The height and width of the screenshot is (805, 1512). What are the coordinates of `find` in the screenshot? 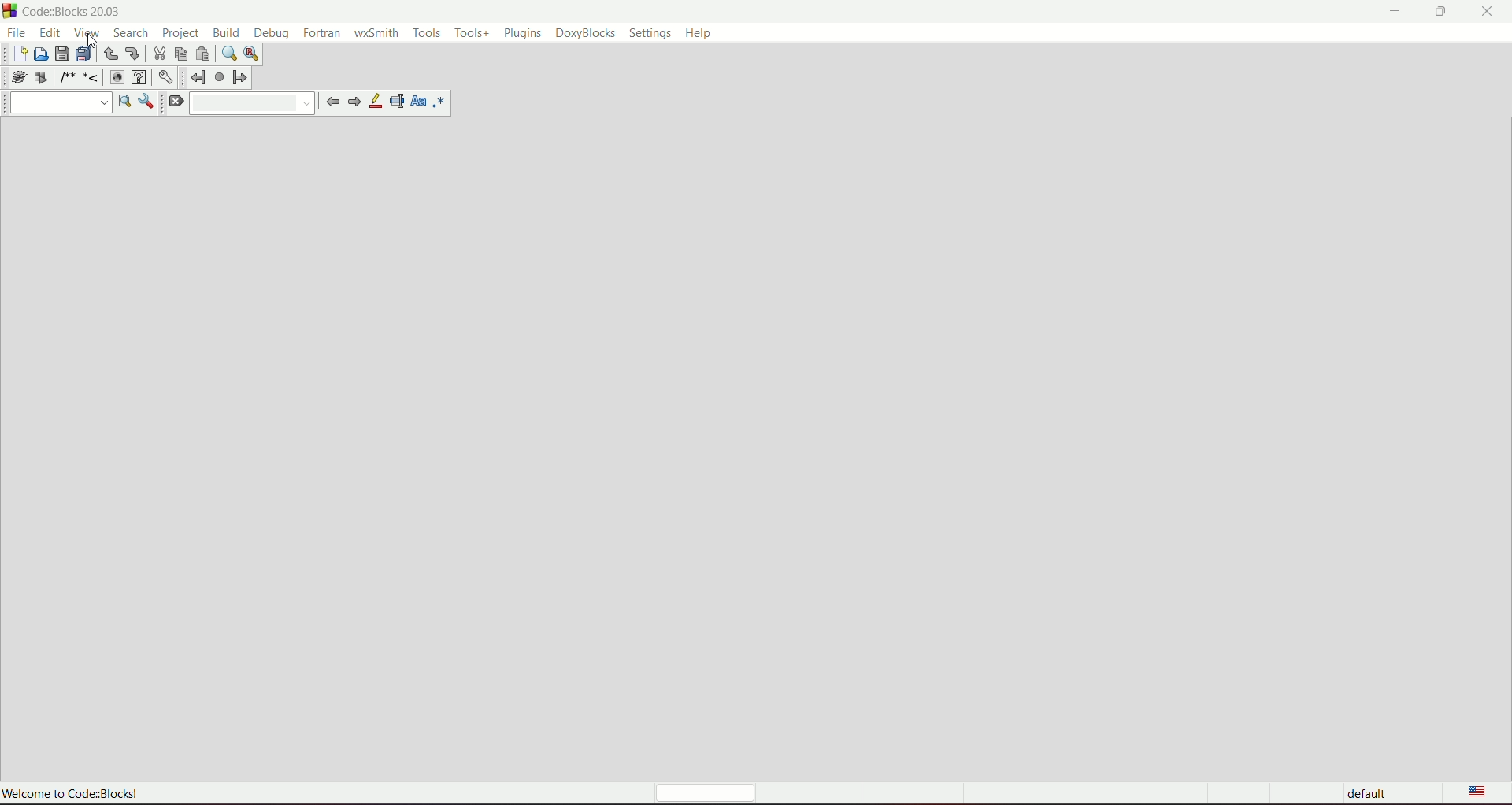 It's located at (228, 54).